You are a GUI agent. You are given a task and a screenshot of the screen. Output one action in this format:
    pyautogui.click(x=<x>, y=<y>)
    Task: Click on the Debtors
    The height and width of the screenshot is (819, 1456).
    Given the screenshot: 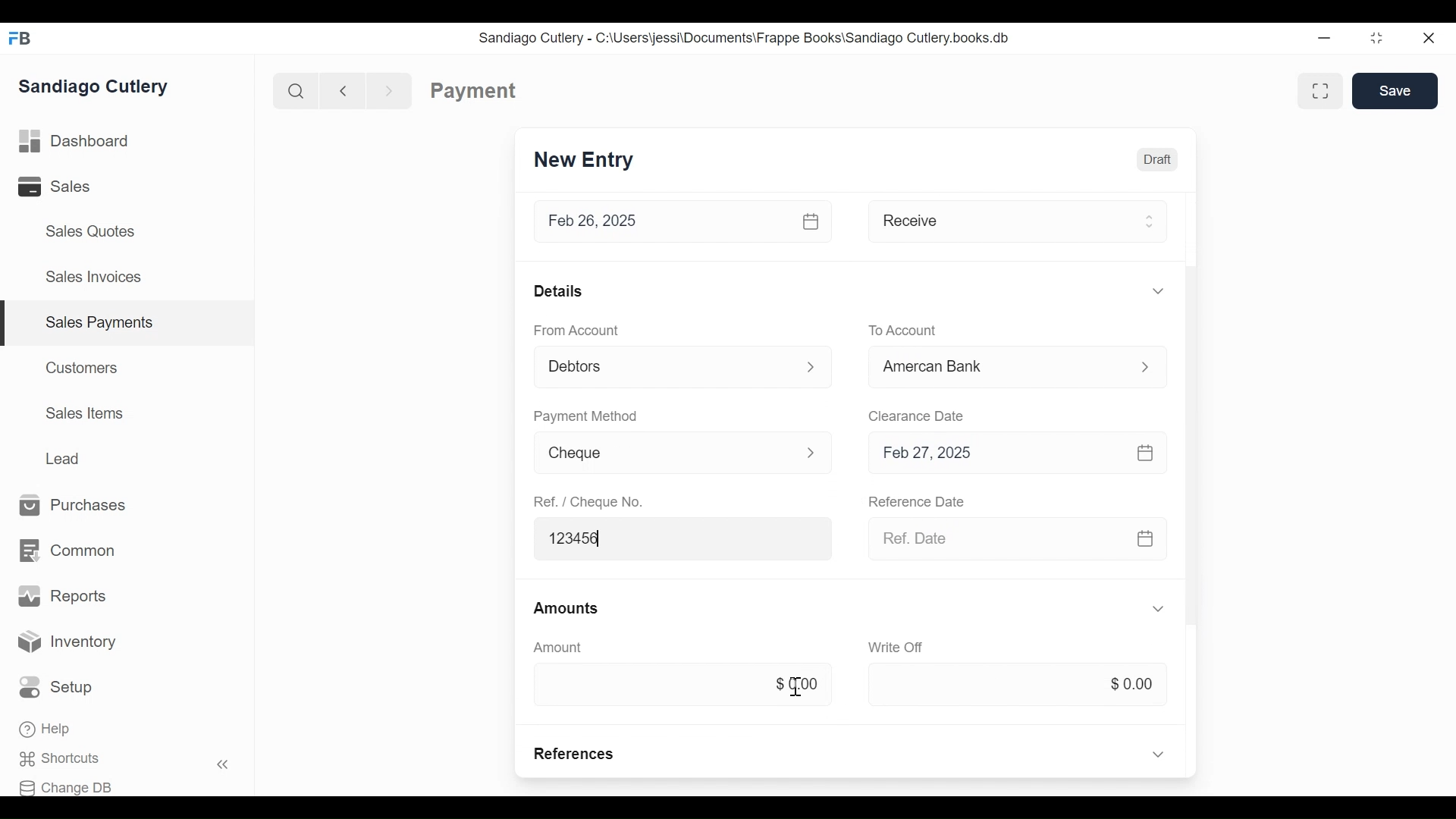 What is the action you would take?
    pyautogui.click(x=664, y=365)
    